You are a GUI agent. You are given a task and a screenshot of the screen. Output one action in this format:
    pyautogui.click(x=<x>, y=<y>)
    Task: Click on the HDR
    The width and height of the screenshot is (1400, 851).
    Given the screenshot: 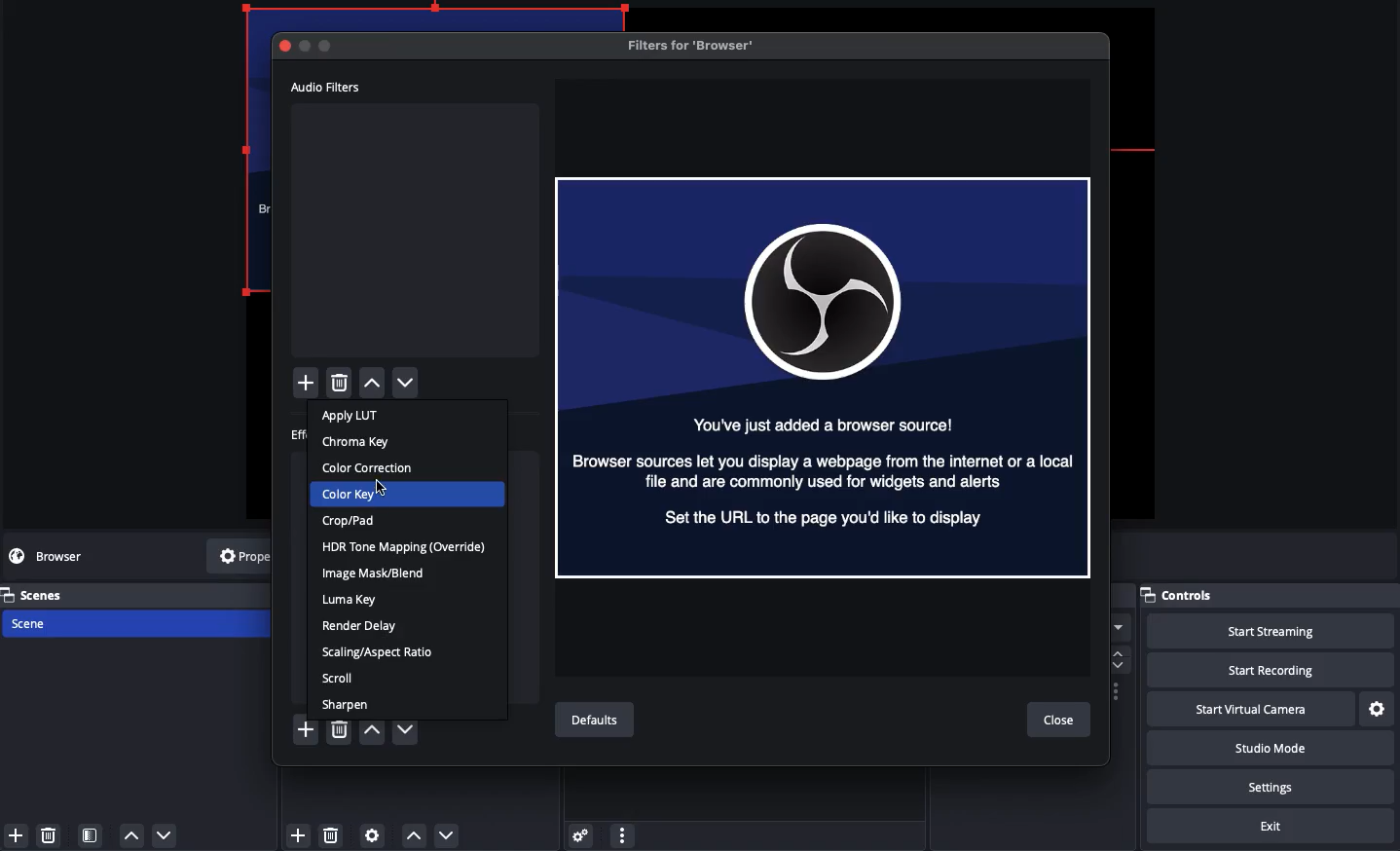 What is the action you would take?
    pyautogui.click(x=407, y=546)
    